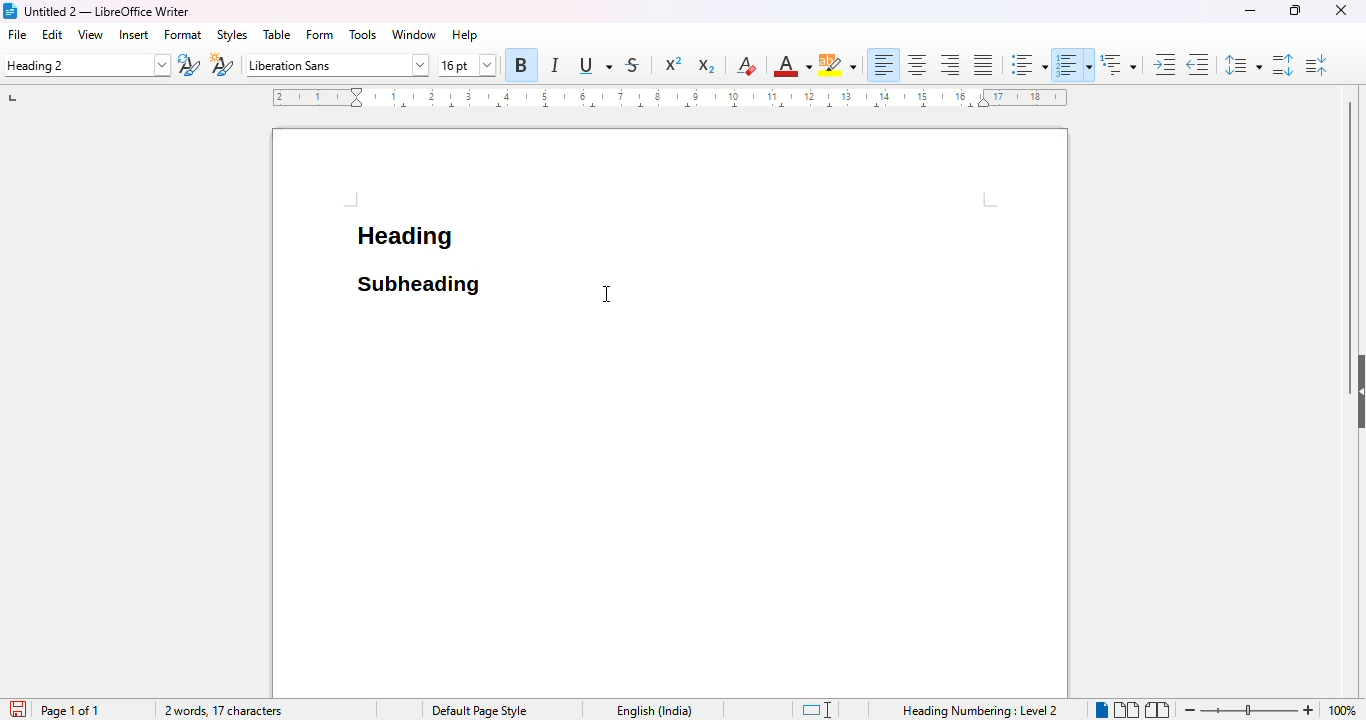 The width and height of the screenshot is (1366, 720). What do you see at coordinates (1297, 9) in the screenshot?
I see `maximize` at bounding box center [1297, 9].